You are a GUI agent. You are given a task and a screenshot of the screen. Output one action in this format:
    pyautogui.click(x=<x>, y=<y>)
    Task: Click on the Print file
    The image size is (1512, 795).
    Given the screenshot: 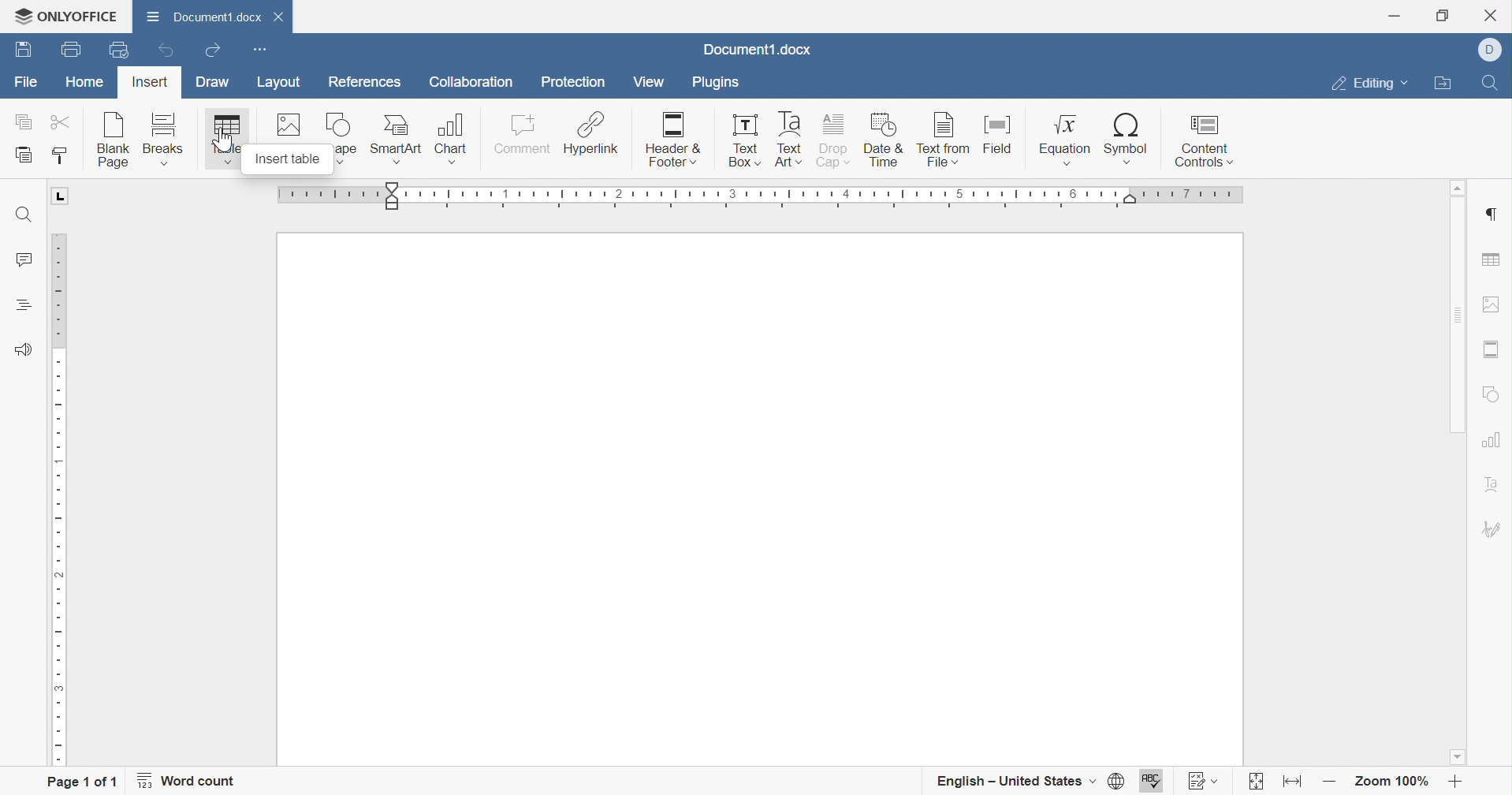 What is the action you would take?
    pyautogui.click(x=74, y=48)
    